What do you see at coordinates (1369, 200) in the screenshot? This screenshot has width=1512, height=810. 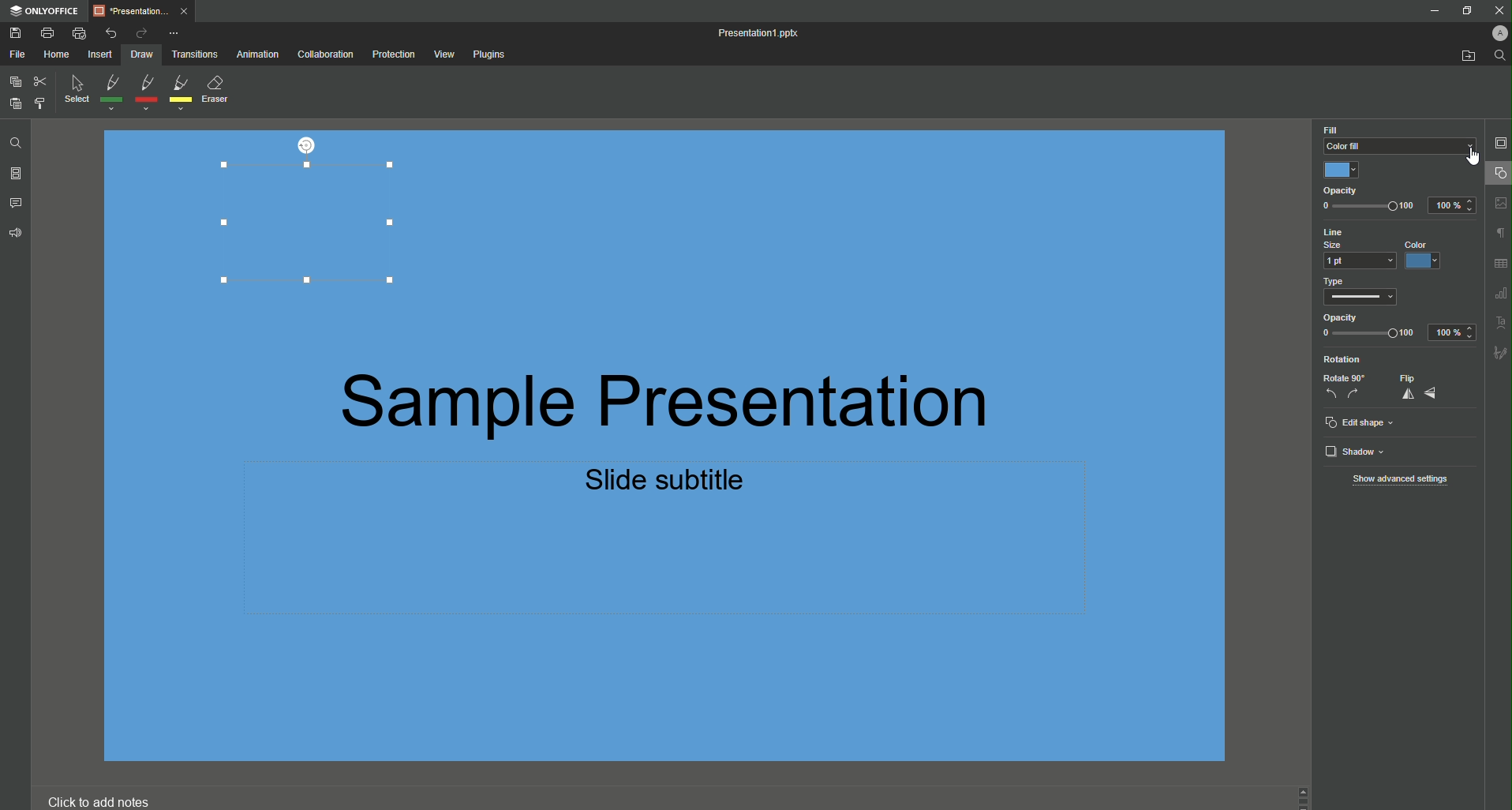 I see `Opacity` at bounding box center [1369, 200].